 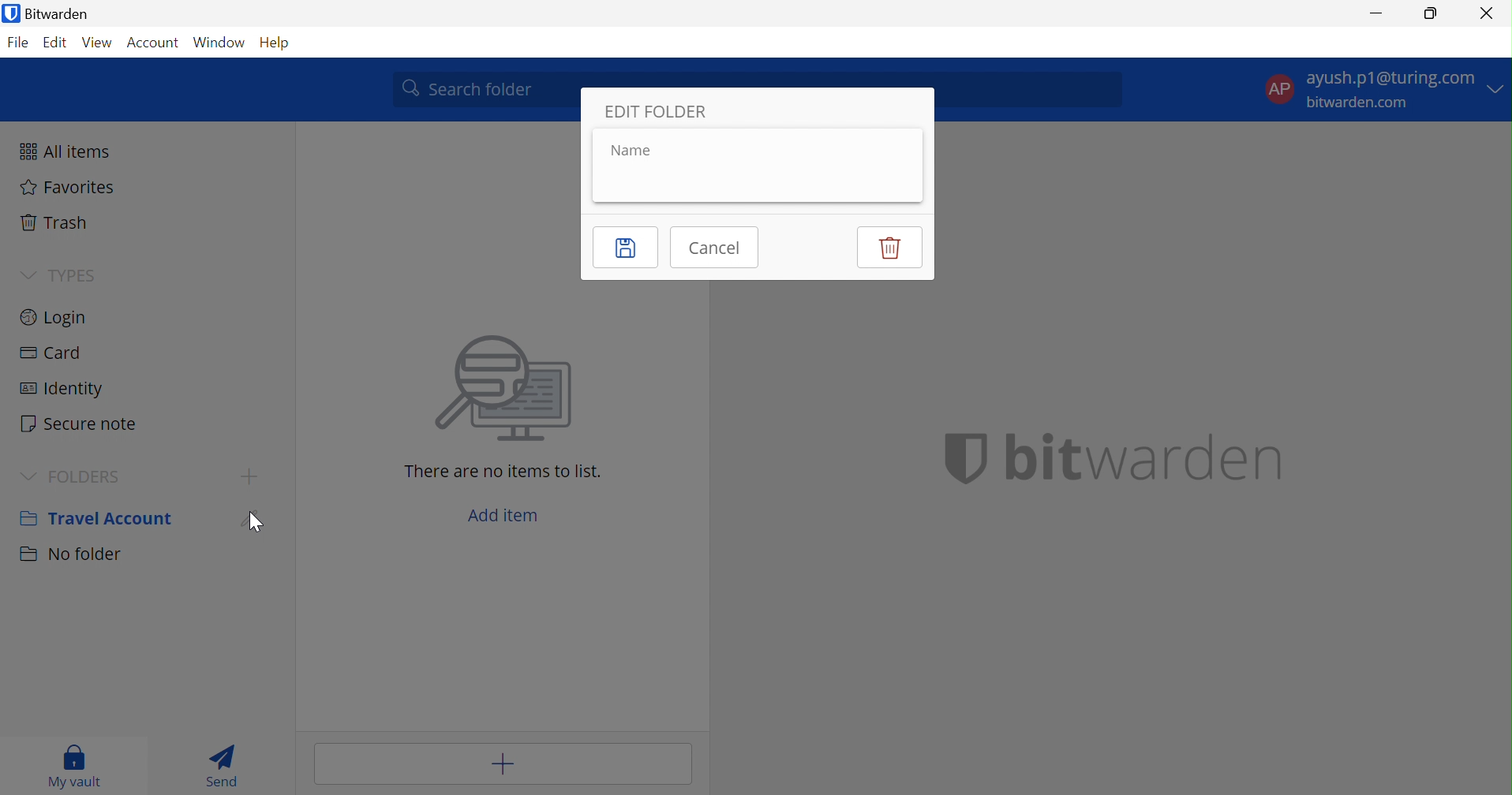 I want to click on Restore Down, so click(x=1430, y=17).